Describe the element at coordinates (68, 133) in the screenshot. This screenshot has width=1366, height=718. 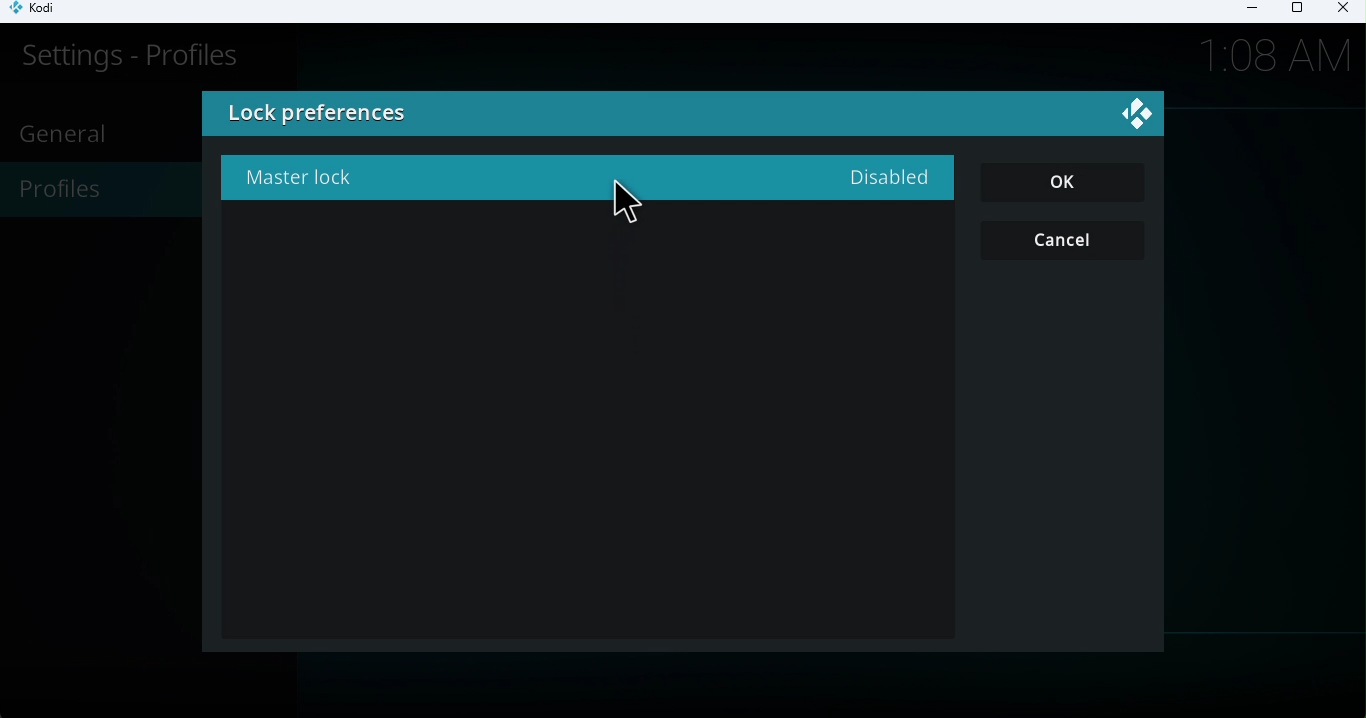
I see `General` at that location.